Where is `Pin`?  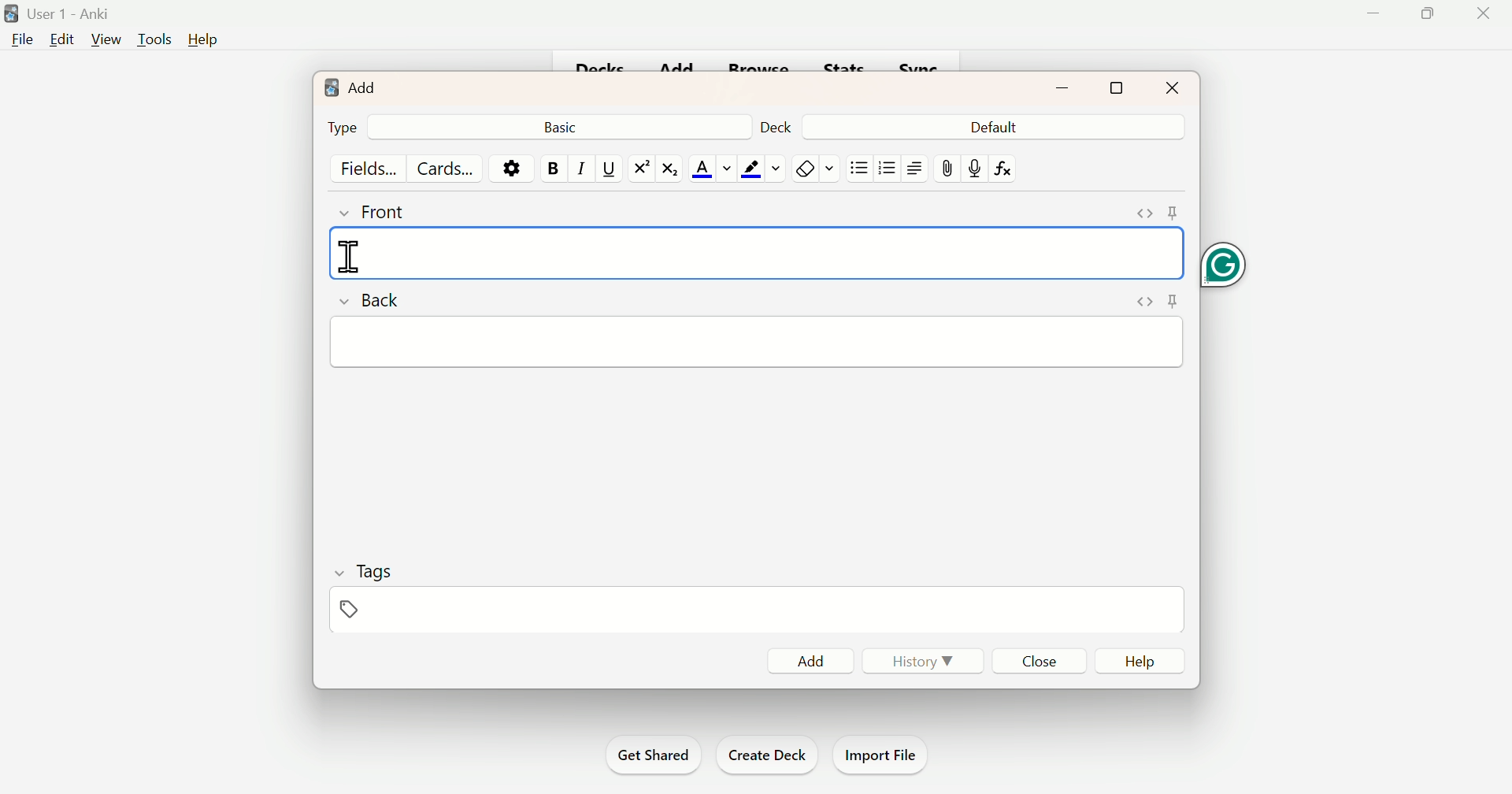 Pin is located at coordinates (348, 610).